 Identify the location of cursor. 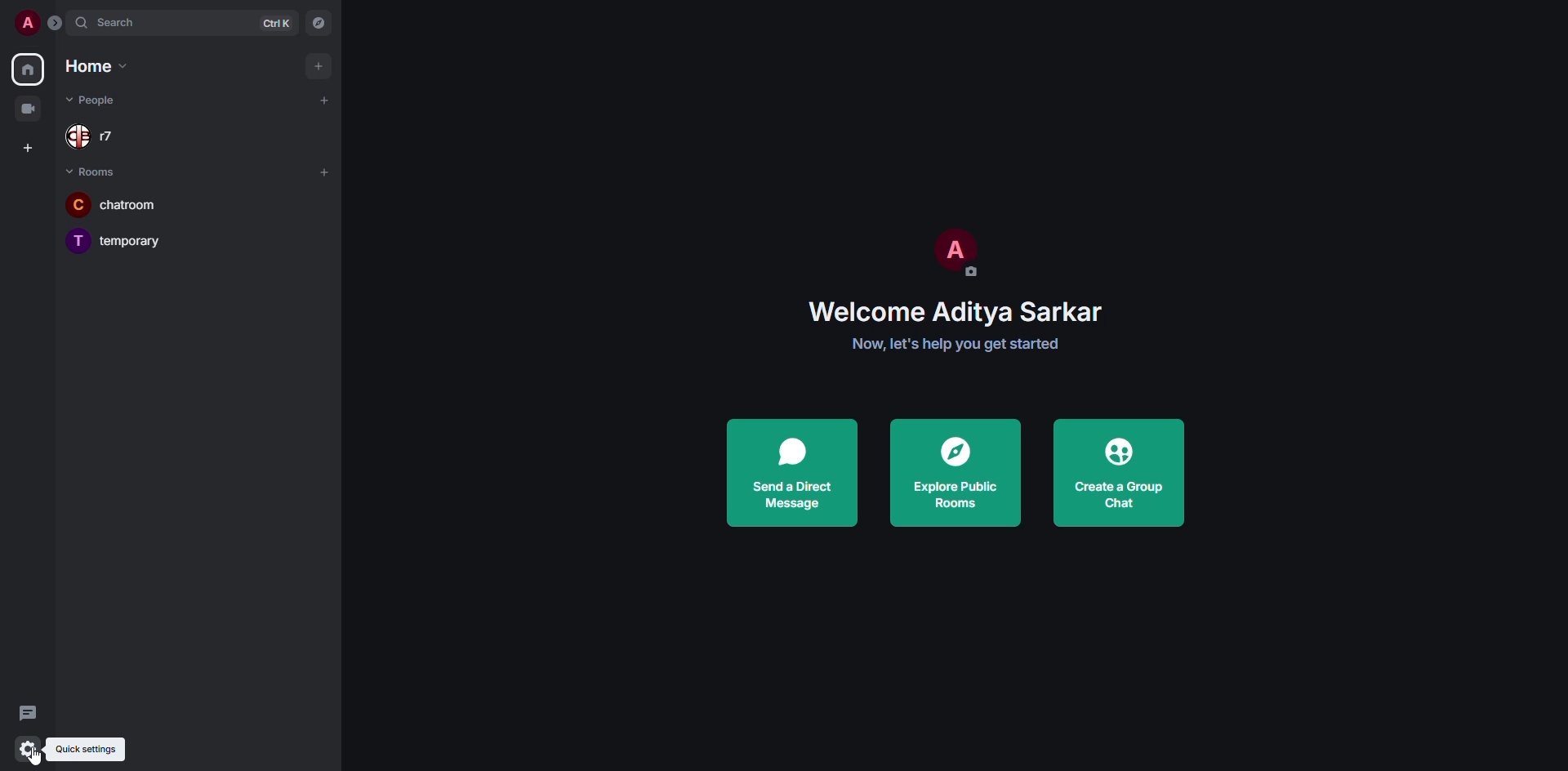
(32, 756).